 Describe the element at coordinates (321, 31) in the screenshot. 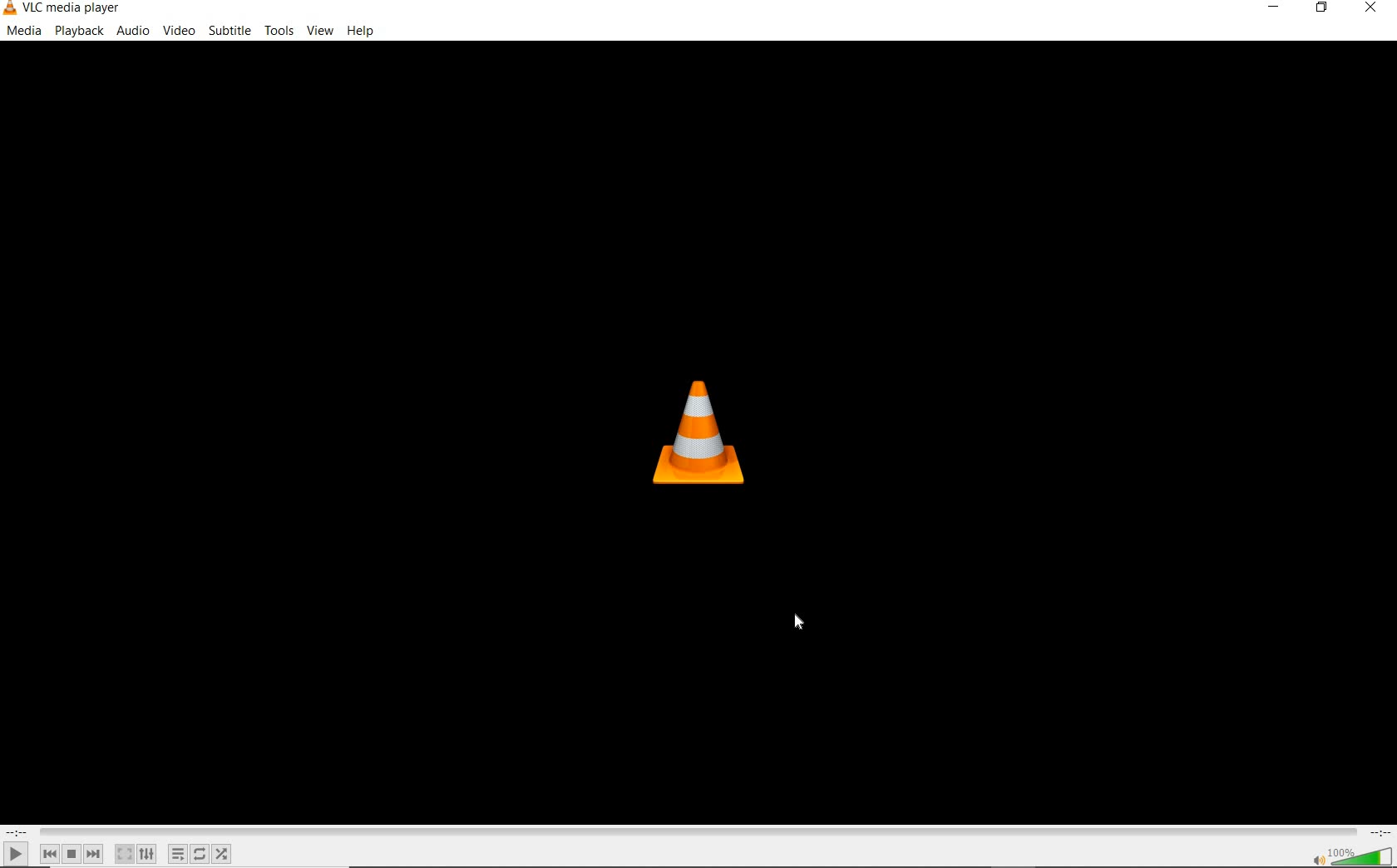

I see `view` at that location.